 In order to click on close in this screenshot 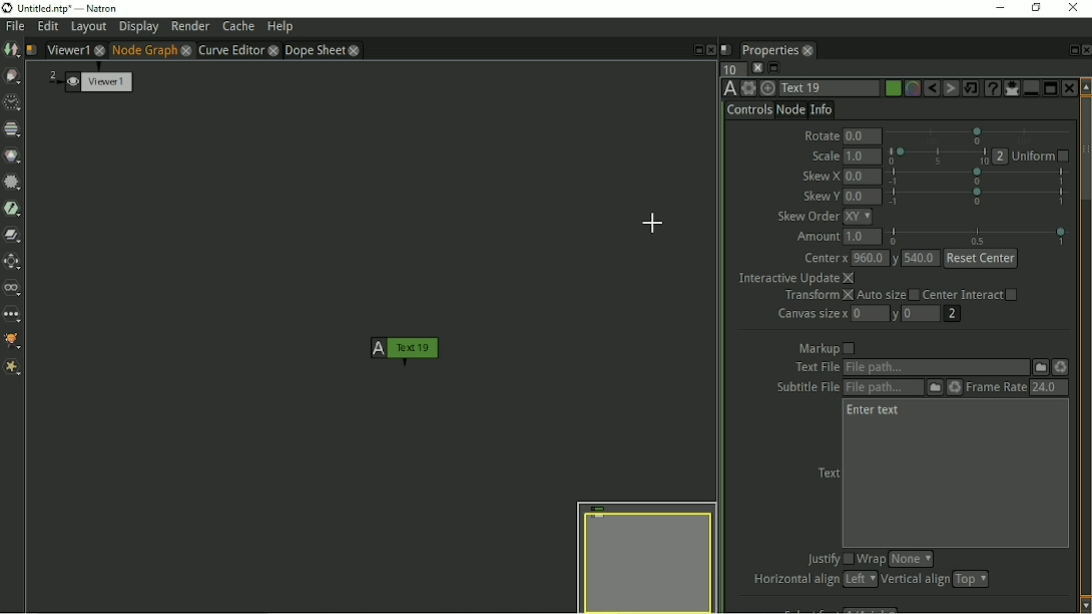, I will do `click(100, 49)`.